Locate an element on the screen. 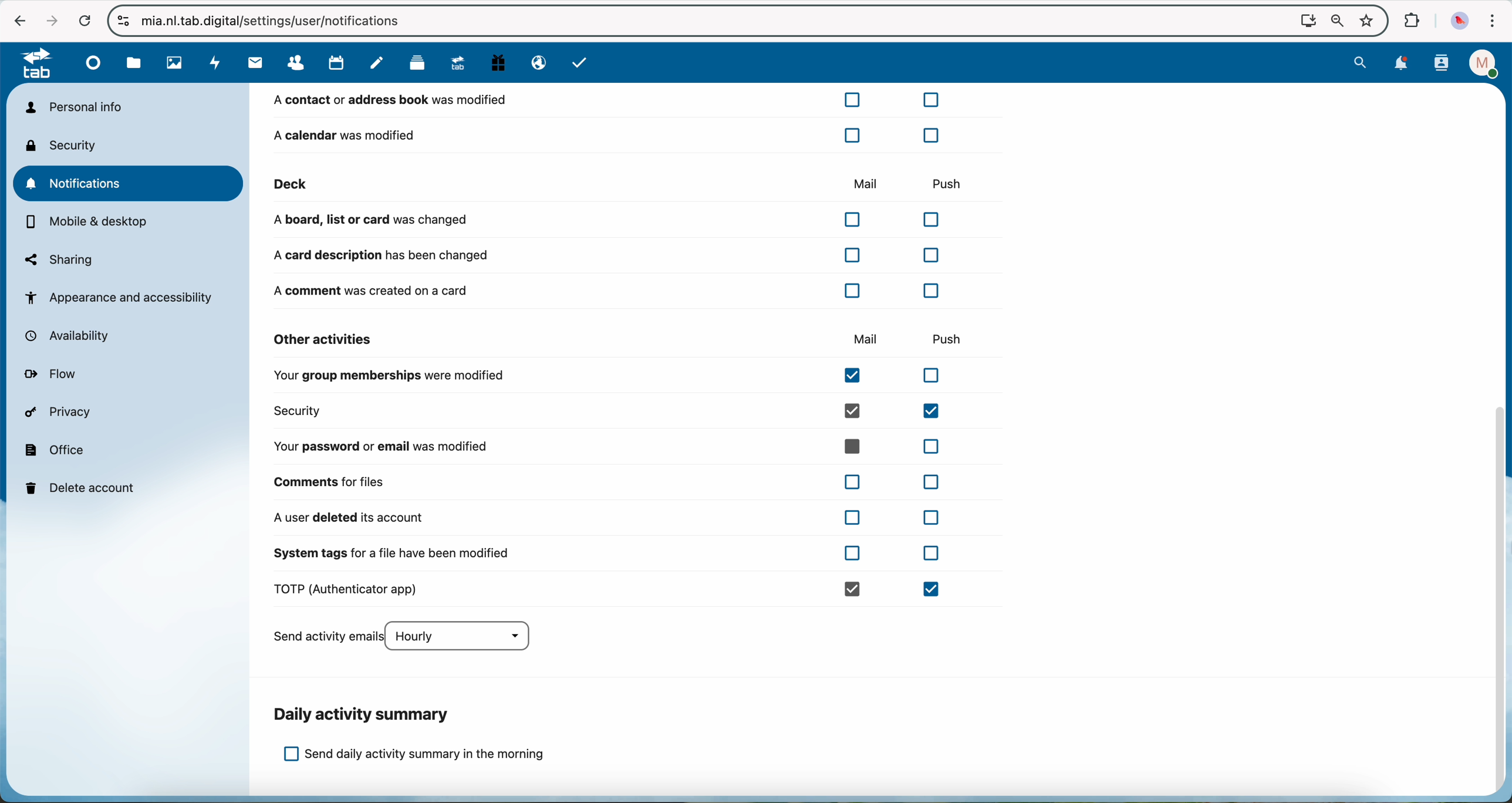  notifications is located at coordinates (130, 183).